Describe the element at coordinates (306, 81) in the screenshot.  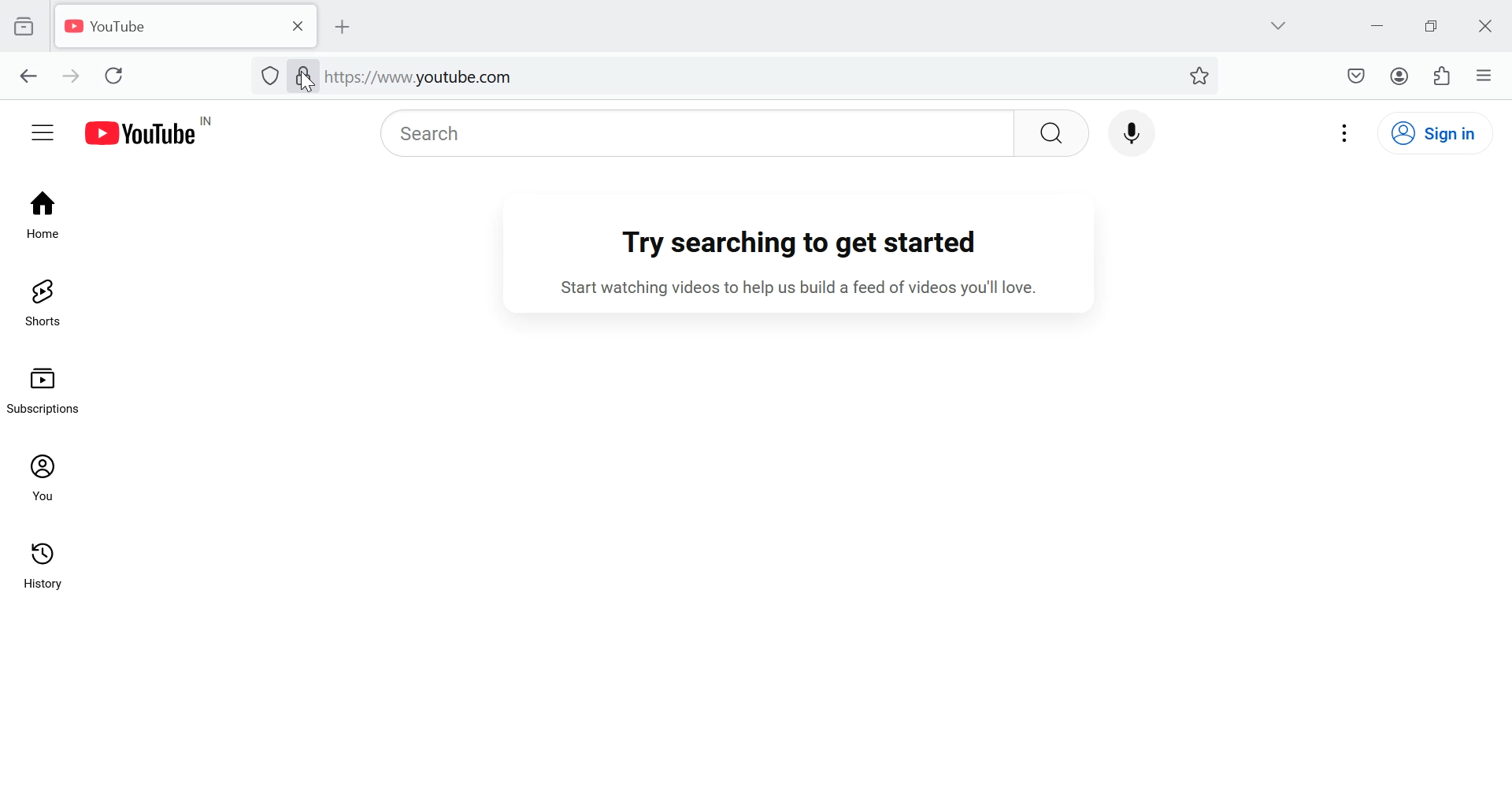
I see `Cursor` at that location.